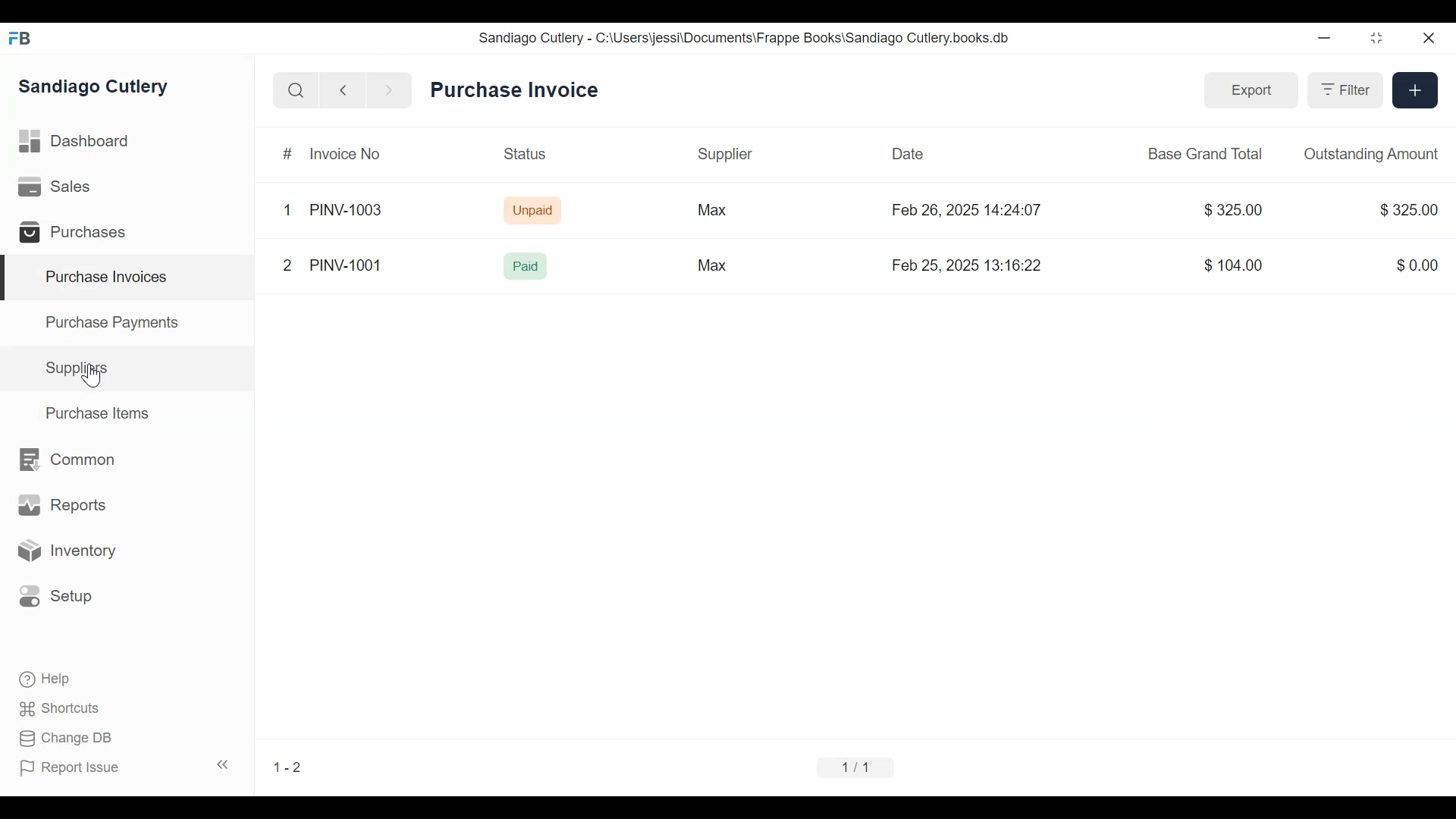 The image size is (1456, 819). I want to click on Supplier, so click(723, 149).